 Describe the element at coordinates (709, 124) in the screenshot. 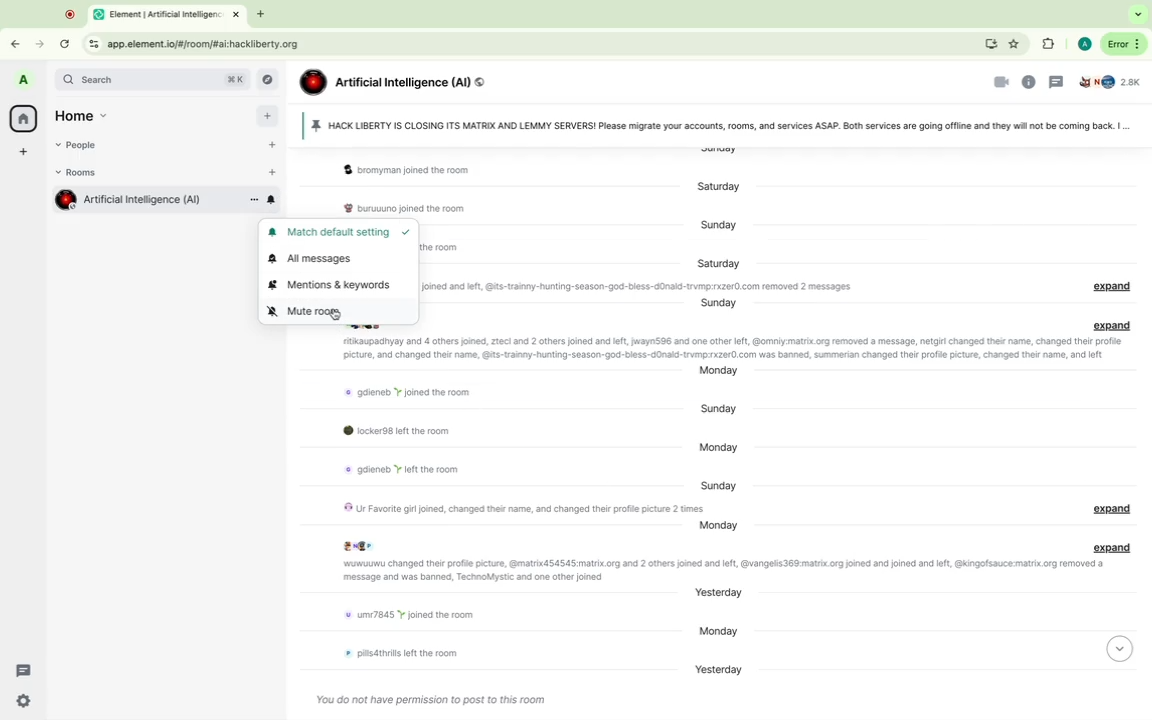

I see `Pinned message` at that location.